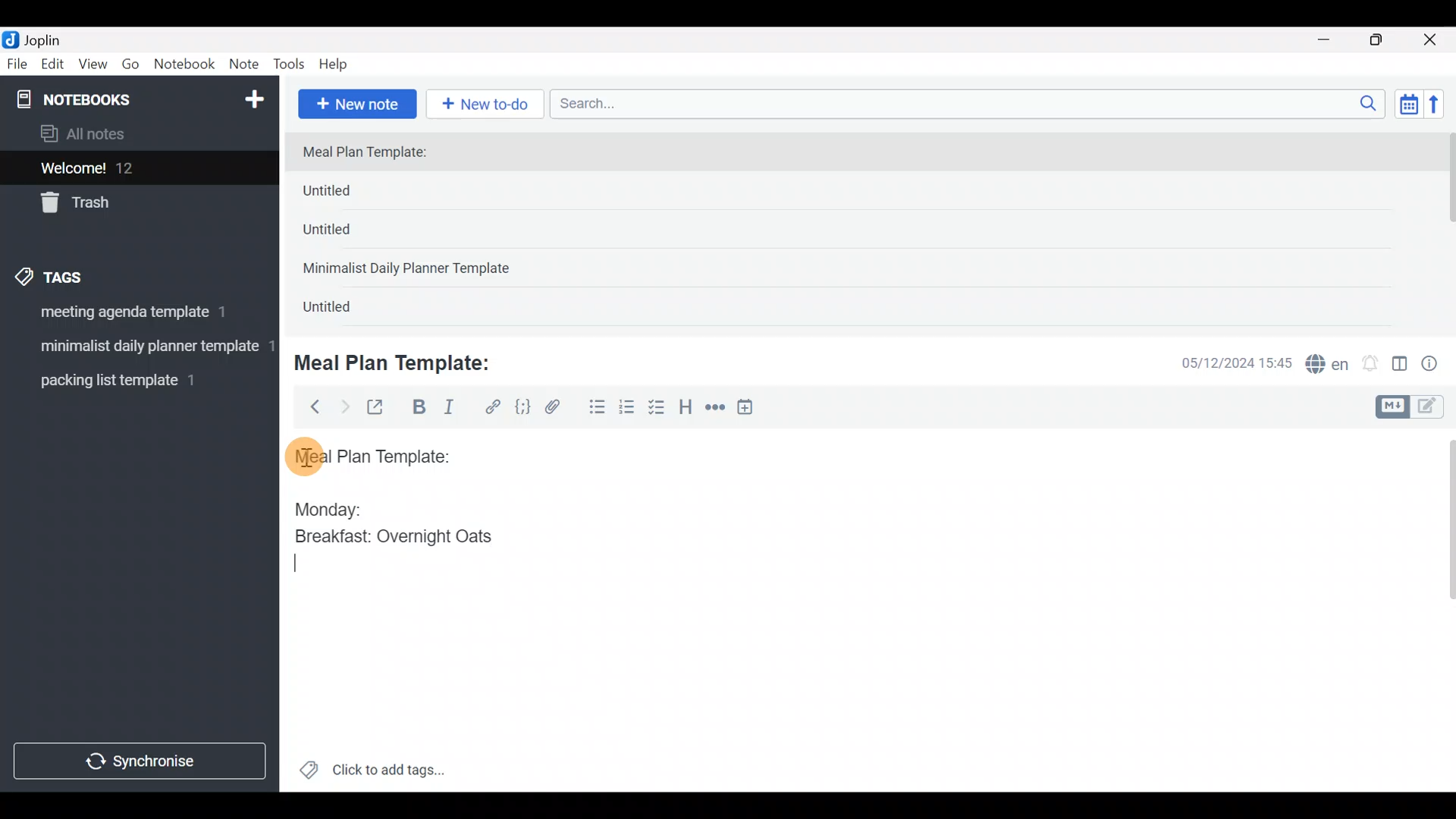 The width and height of the screenshot is (1456, 819). What do you see at coordinates (627, 410) in the screenshot?
I see `Numbered list` at bounding box center [627, 410].